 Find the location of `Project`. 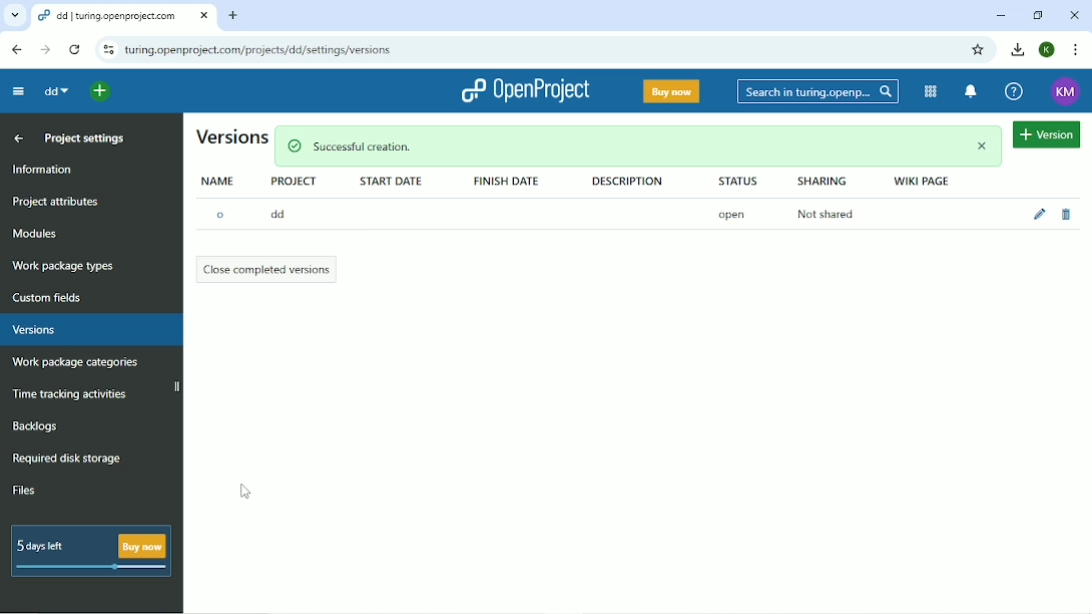

Project is located at coordinates (294, 183).